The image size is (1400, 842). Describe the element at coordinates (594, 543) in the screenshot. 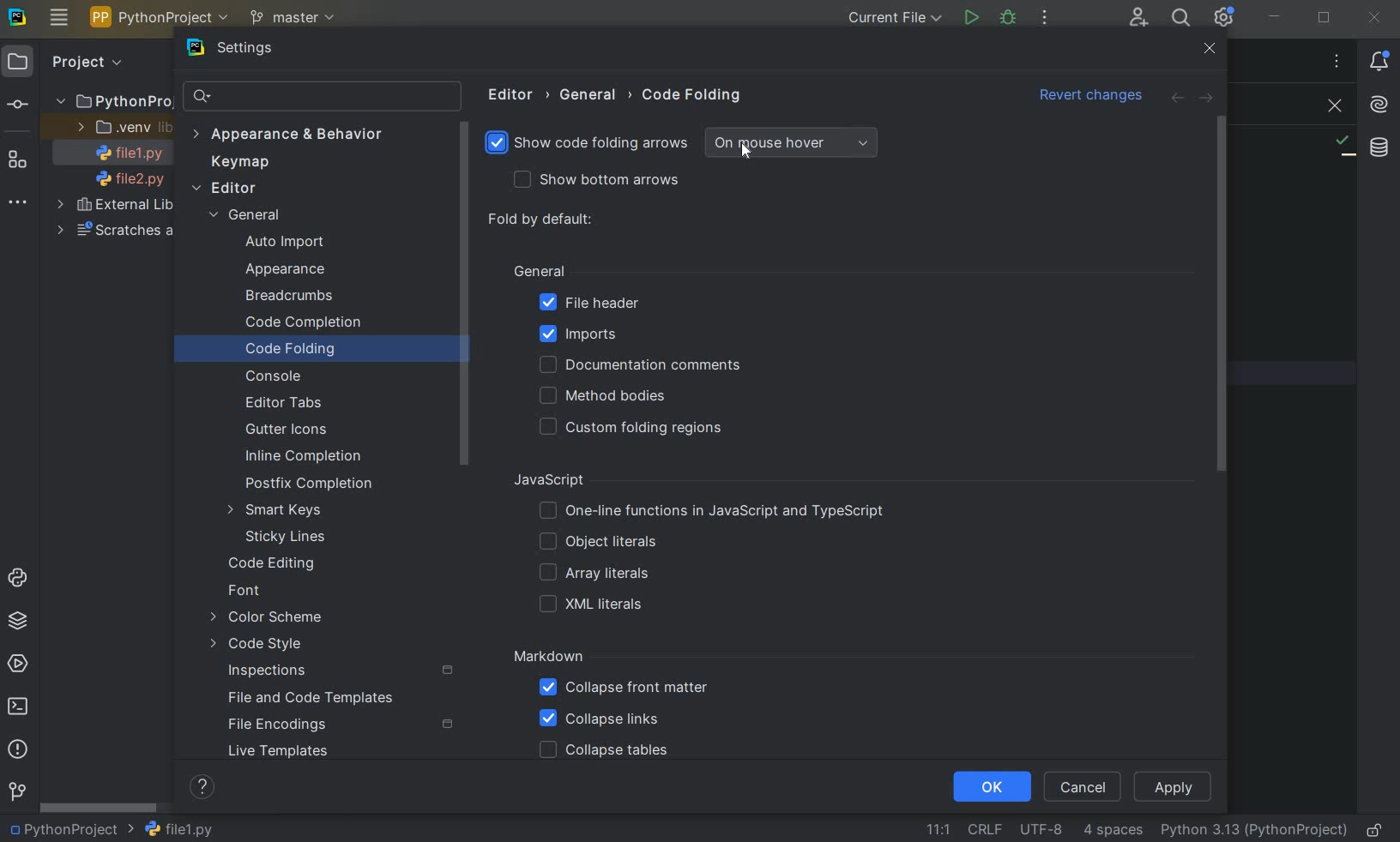

I see `OBJECT LITERALS` at that location.